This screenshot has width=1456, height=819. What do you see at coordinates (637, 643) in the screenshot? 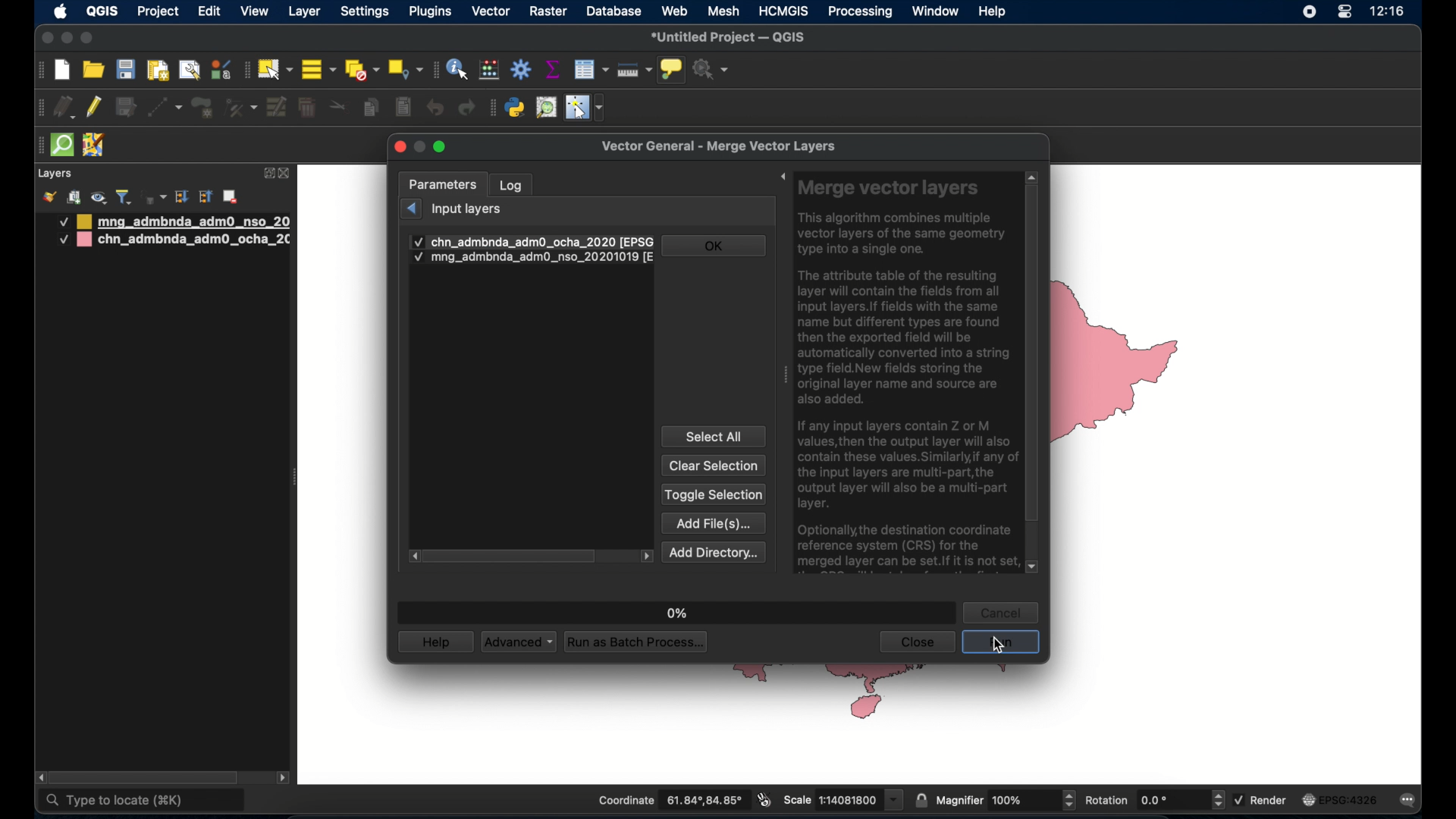
I see `run as batch process` at bounding box center [637, 643].